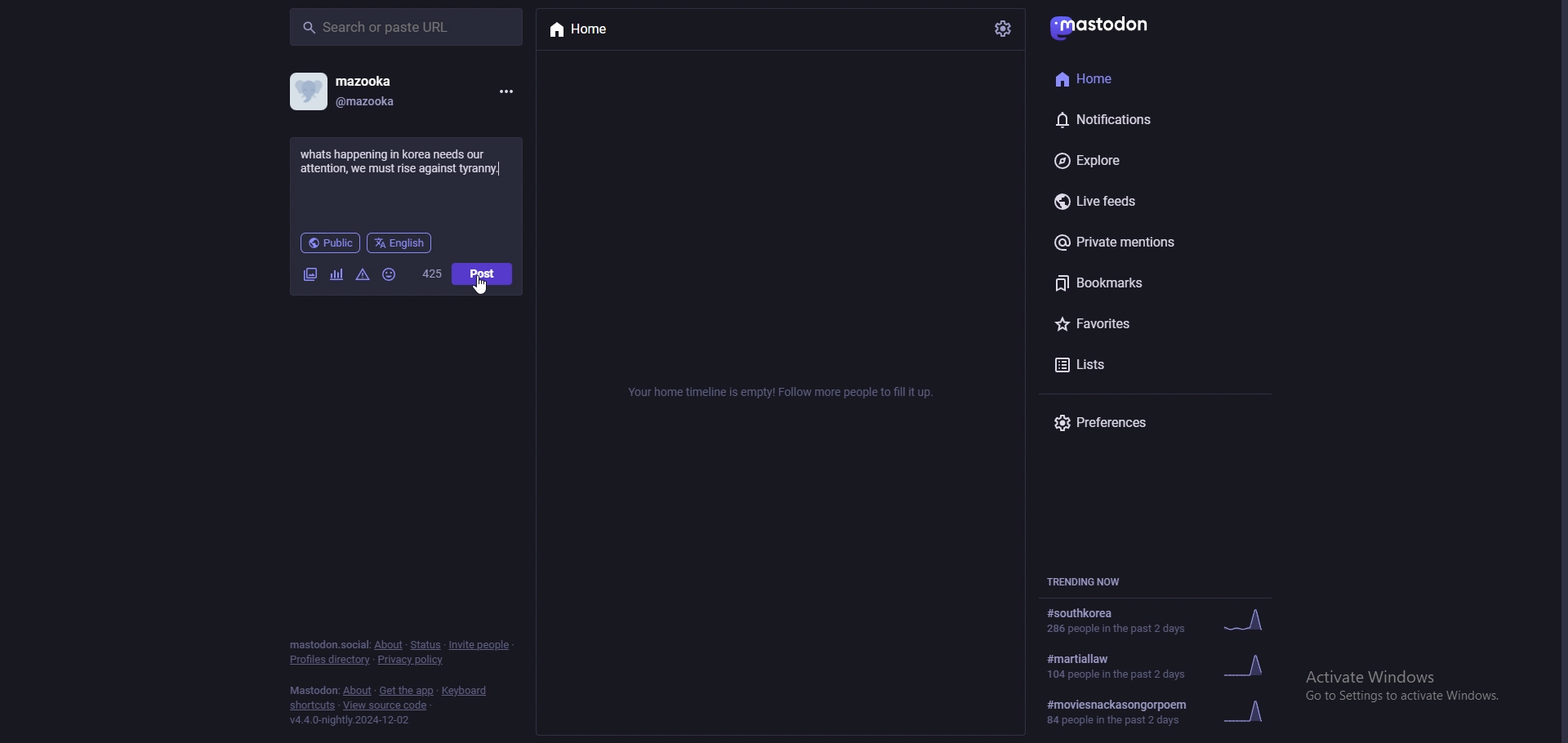 This screenshot has height=743, width=1568. Describe the element at coordinates (1146, 365) in the screenshot. I see `lists` at that location.